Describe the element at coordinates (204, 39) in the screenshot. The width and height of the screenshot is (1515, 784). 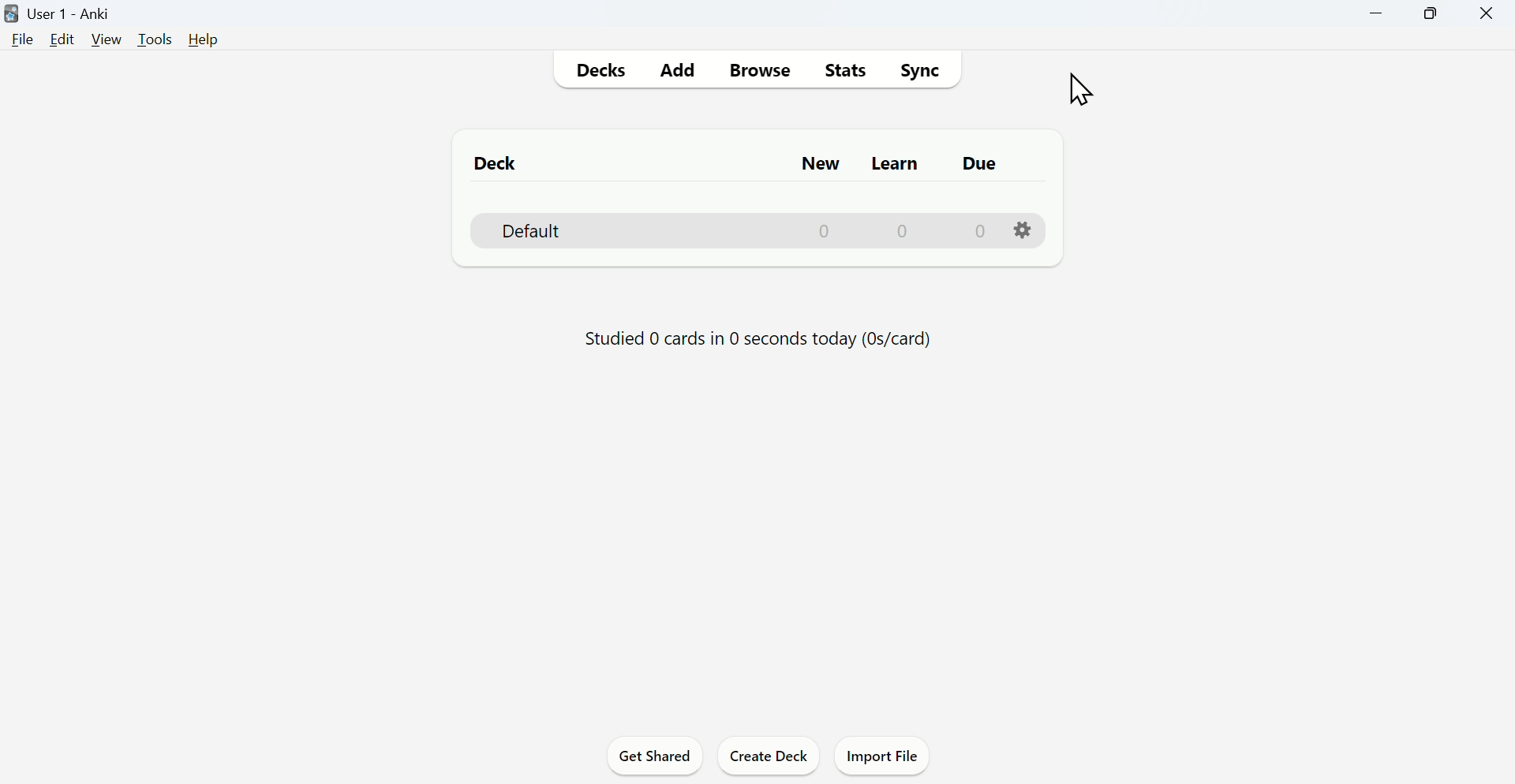
I see `Help` at that location.